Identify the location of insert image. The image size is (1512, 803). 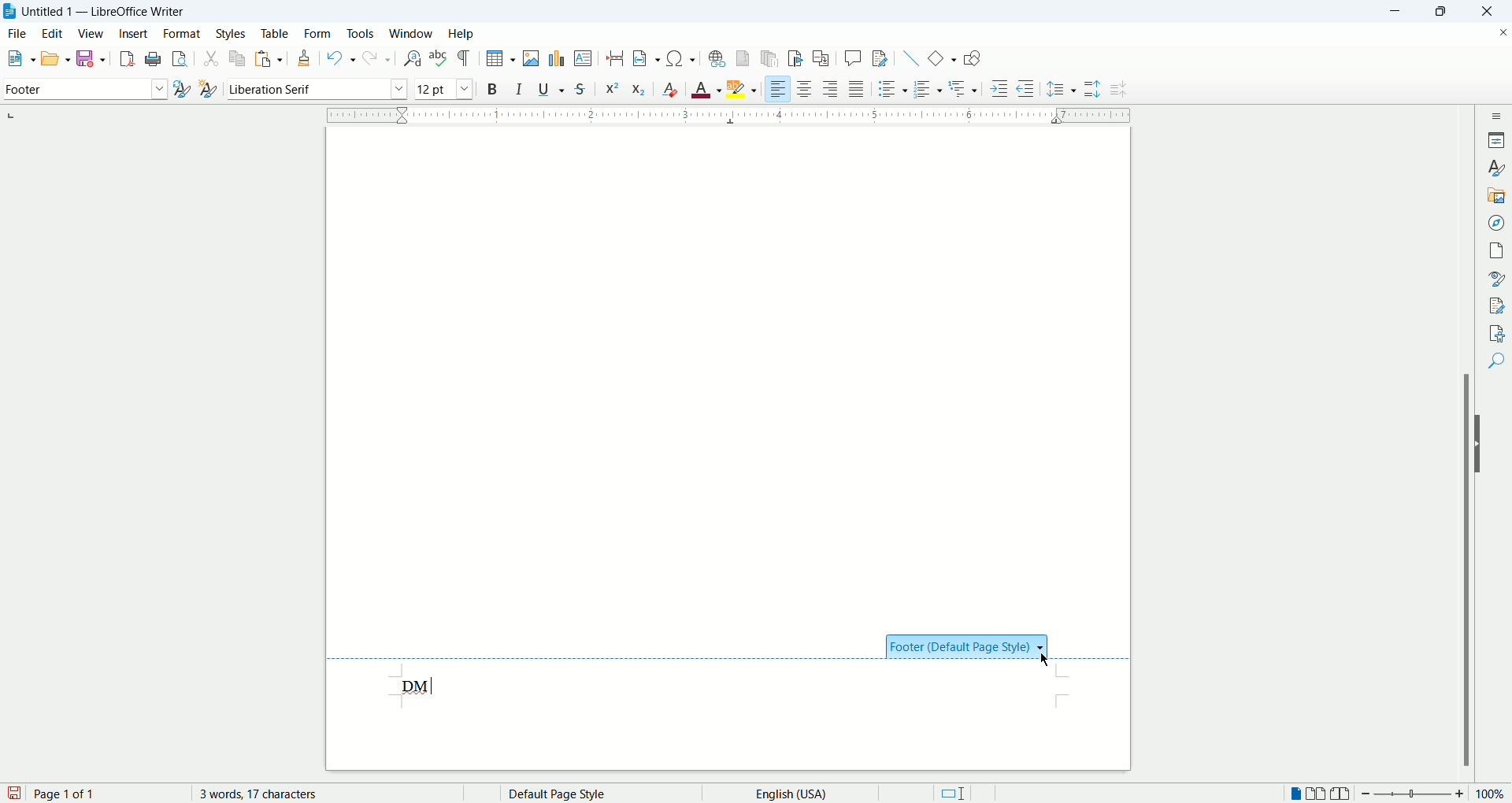
(534, 58).